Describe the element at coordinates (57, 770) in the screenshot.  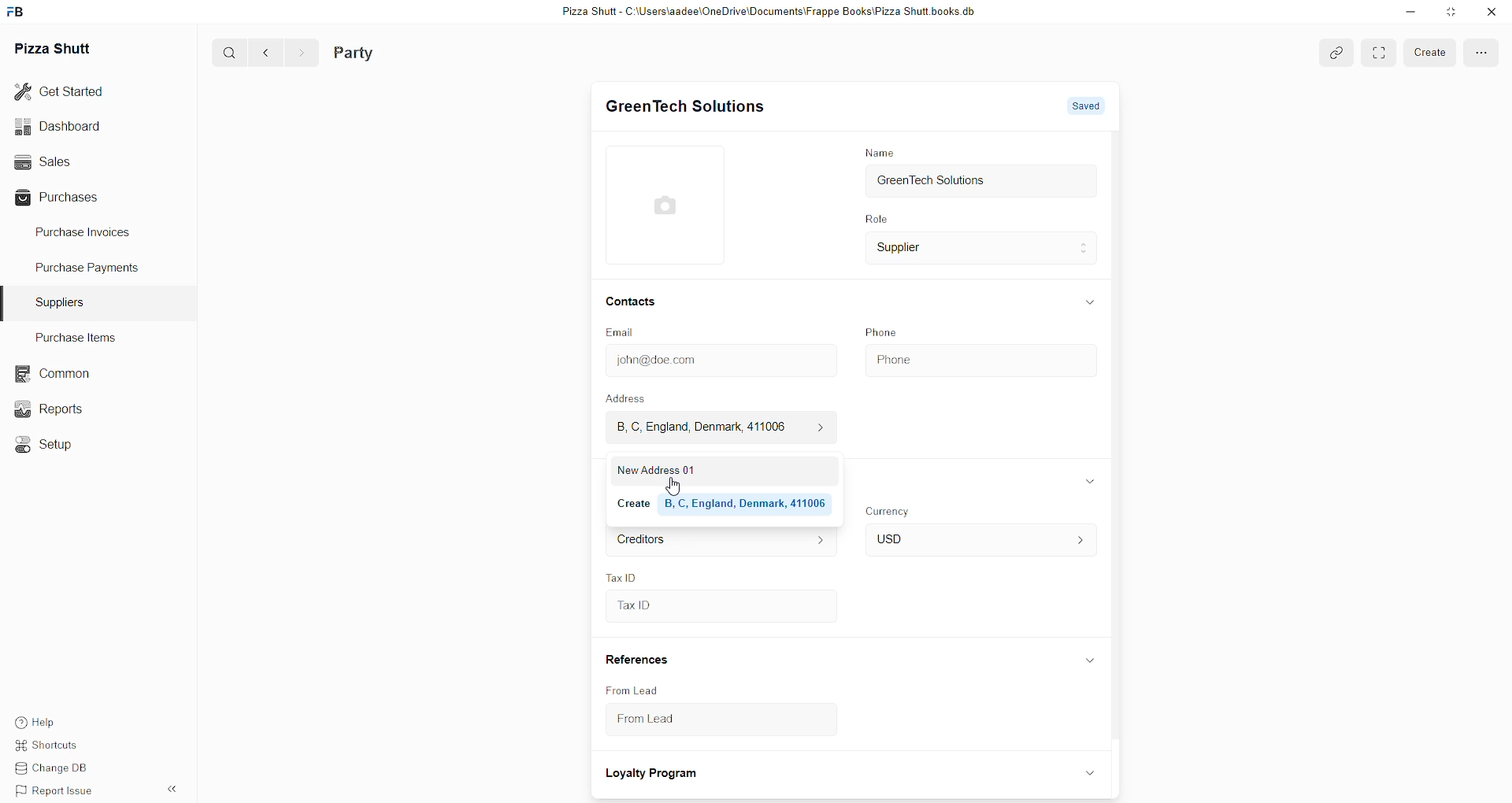
I see ` Change DB` at that location.